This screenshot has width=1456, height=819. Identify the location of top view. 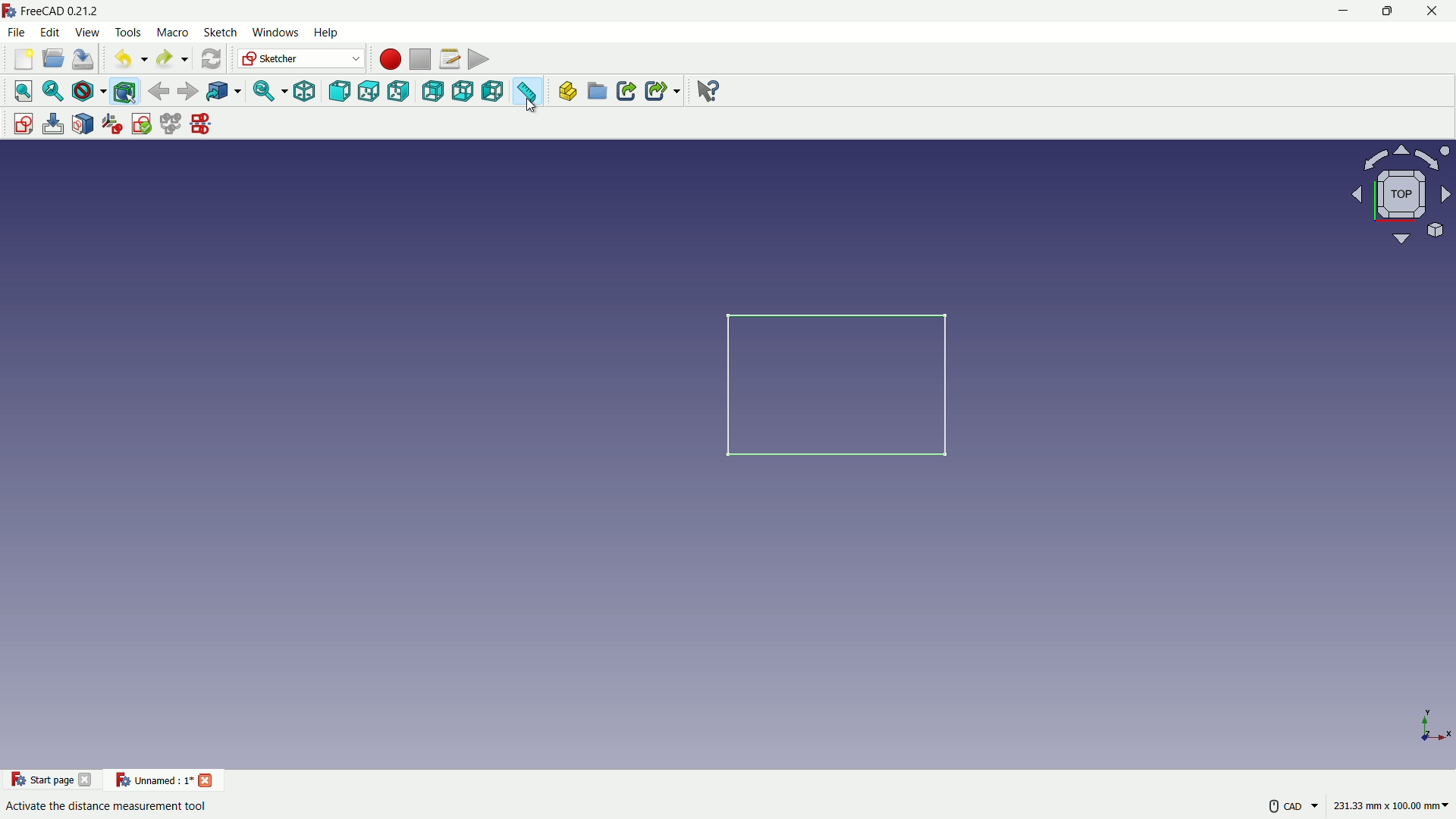
(369, 90).